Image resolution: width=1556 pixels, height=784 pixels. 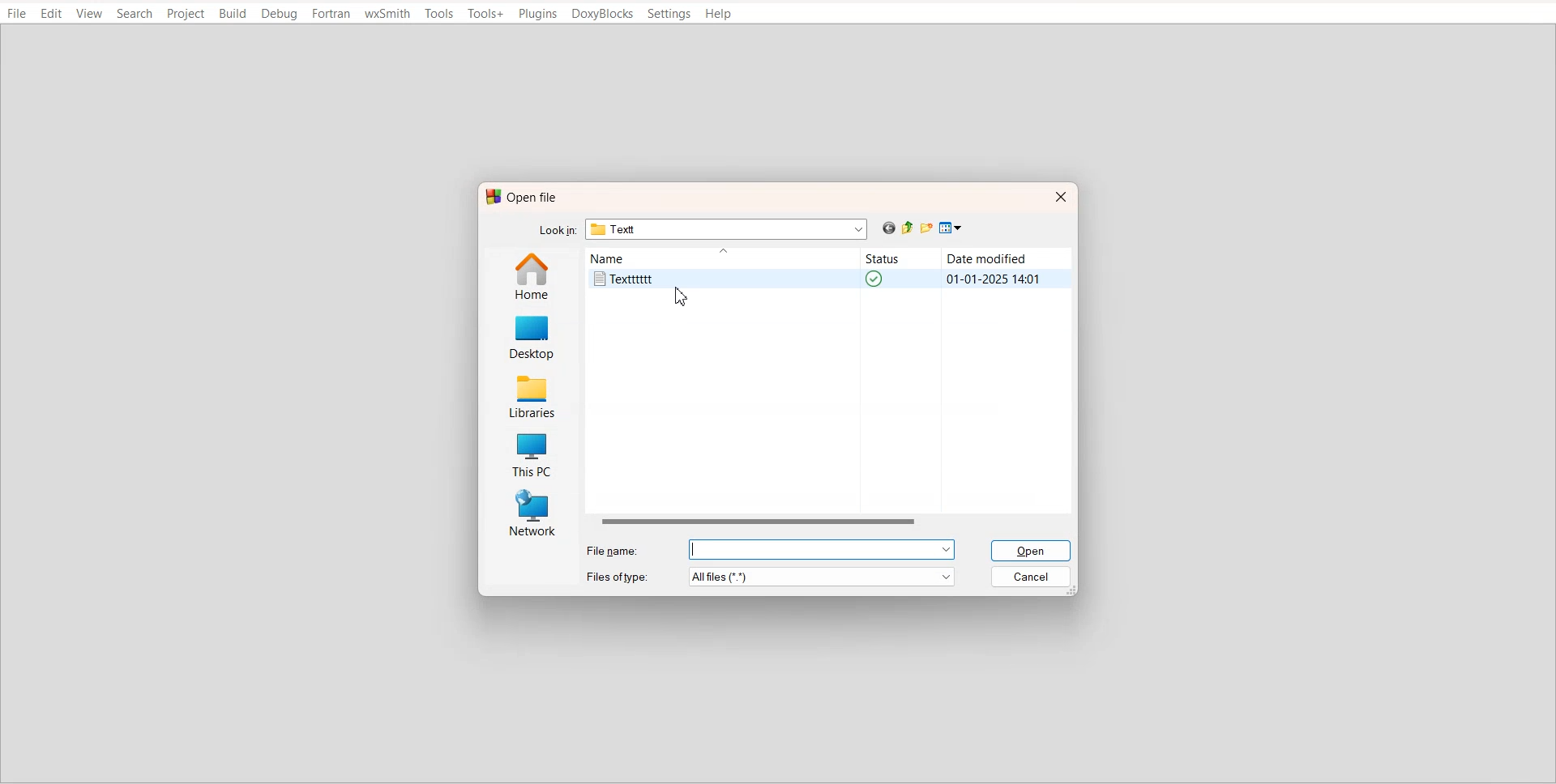 What do you see at coordinates (617, 258) in the screenshot?
I see `Name` at bounding box center [617, 258].